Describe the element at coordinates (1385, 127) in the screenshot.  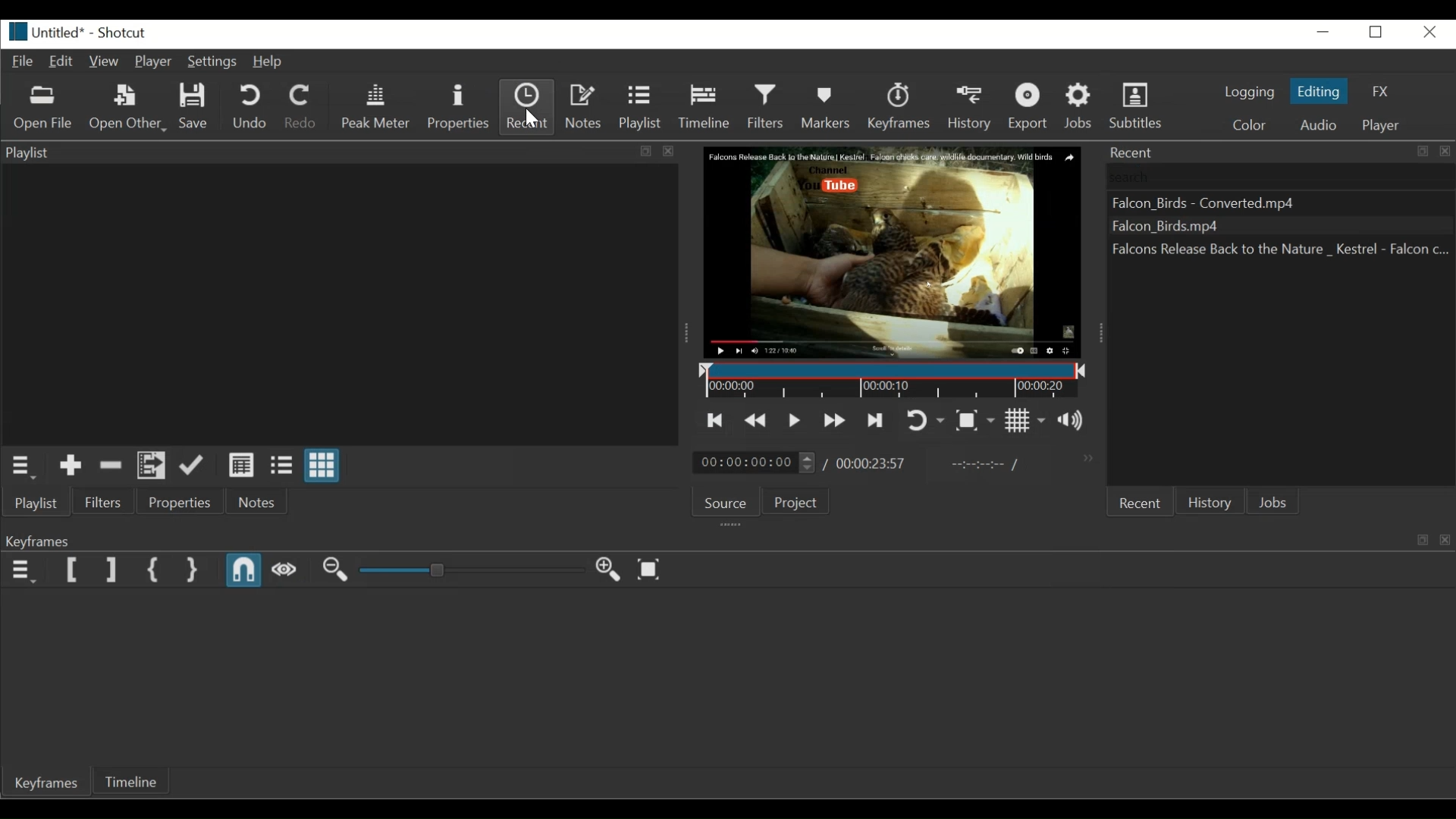
I see `player` at that location.